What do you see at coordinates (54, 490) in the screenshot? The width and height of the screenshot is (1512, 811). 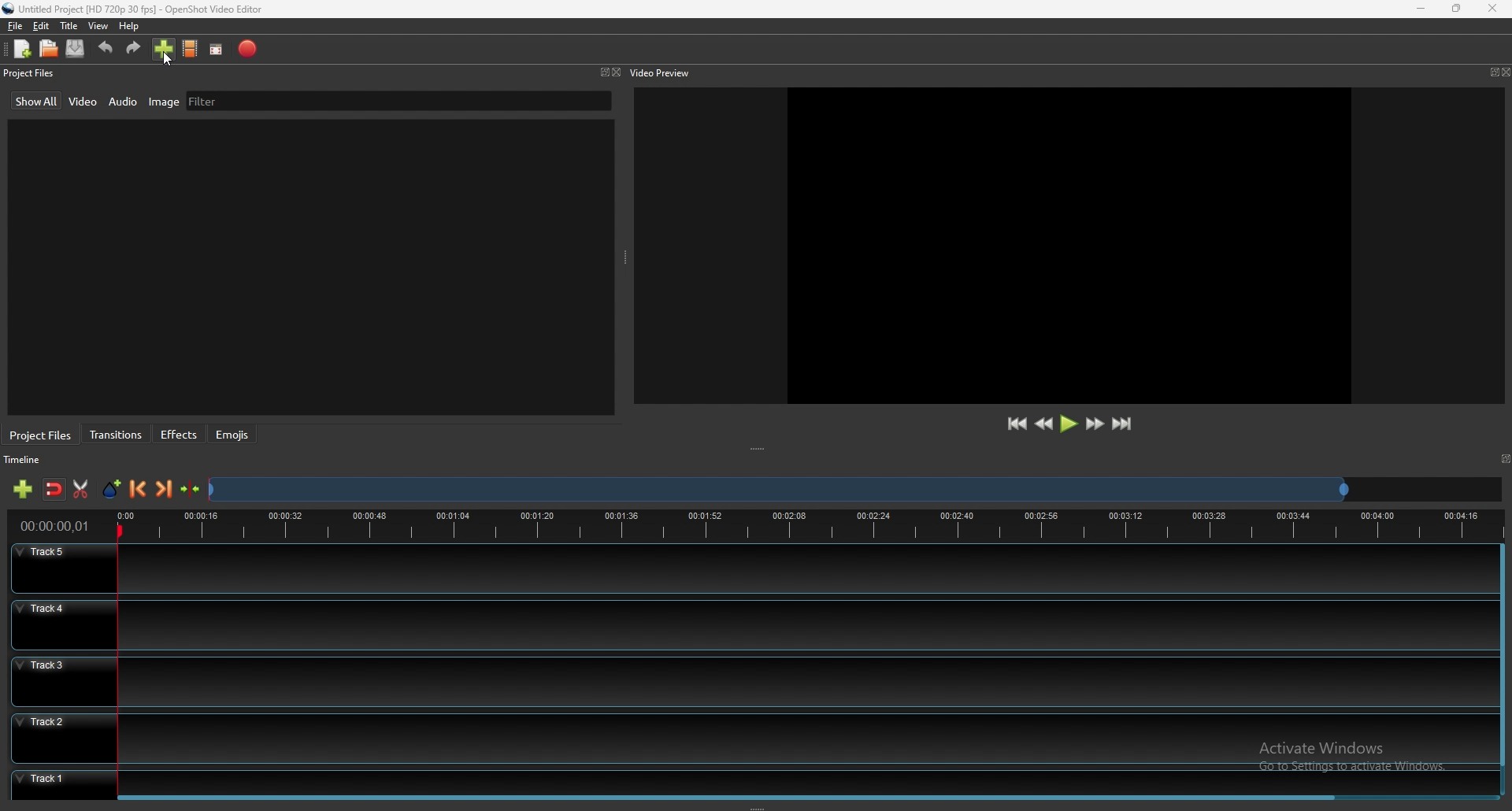 I see `disable snapping` at bounding box center [54, 490].